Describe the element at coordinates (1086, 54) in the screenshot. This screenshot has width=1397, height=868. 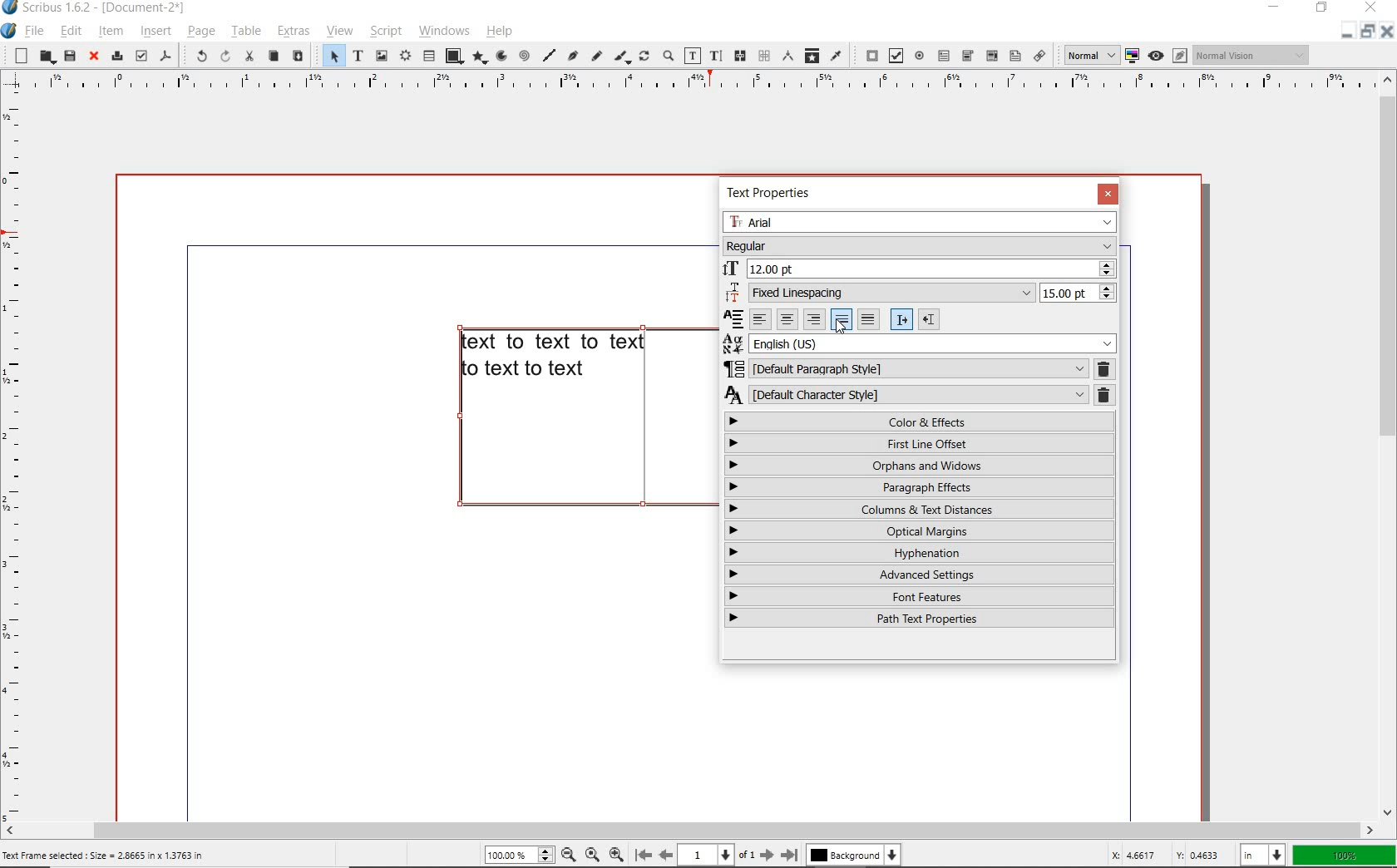
I see `select image preview quality` at that location.